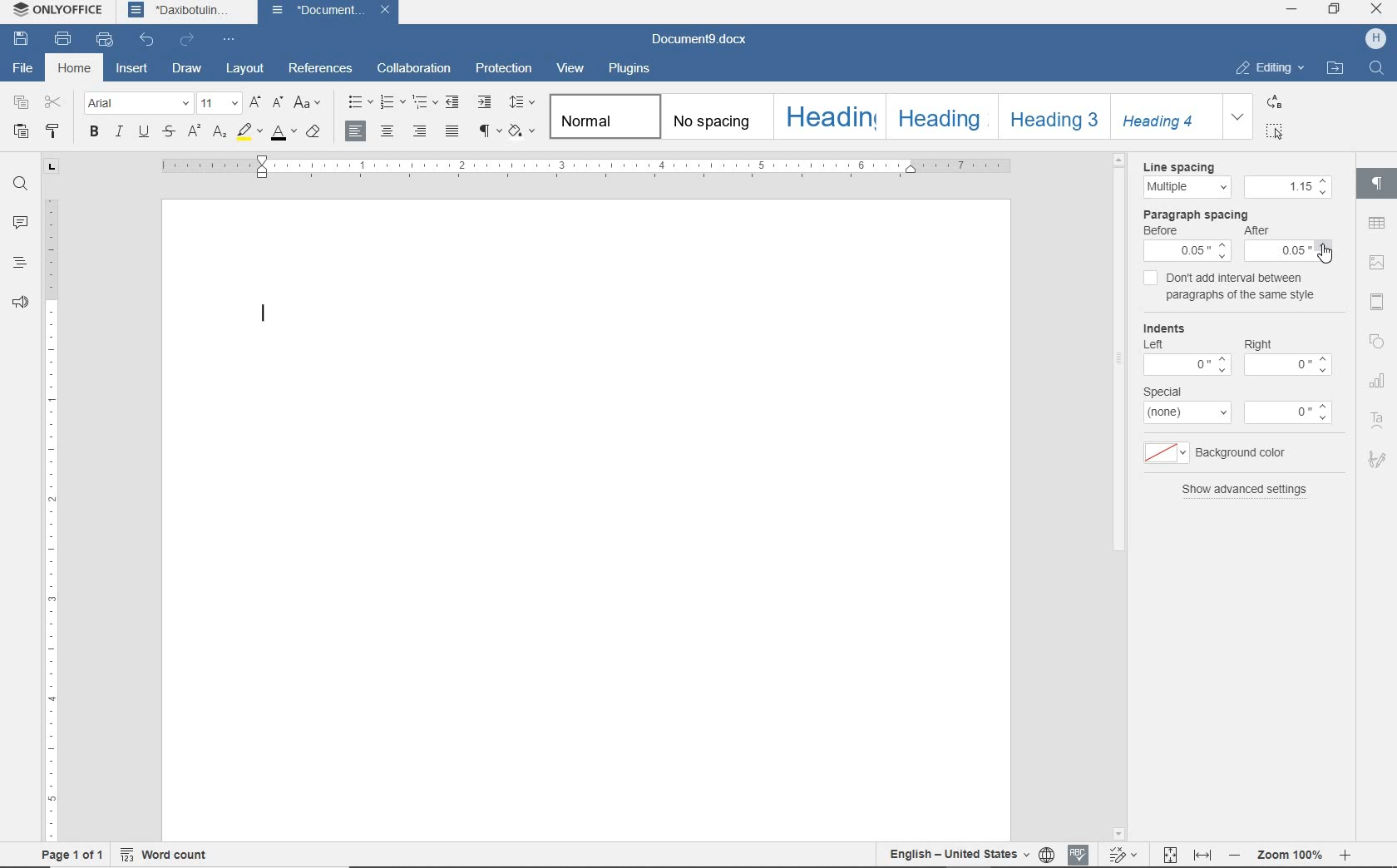  What do you see at coordinates (1378, 224) in the screenshot?
I see `table` at bounding box center [1378, 224].